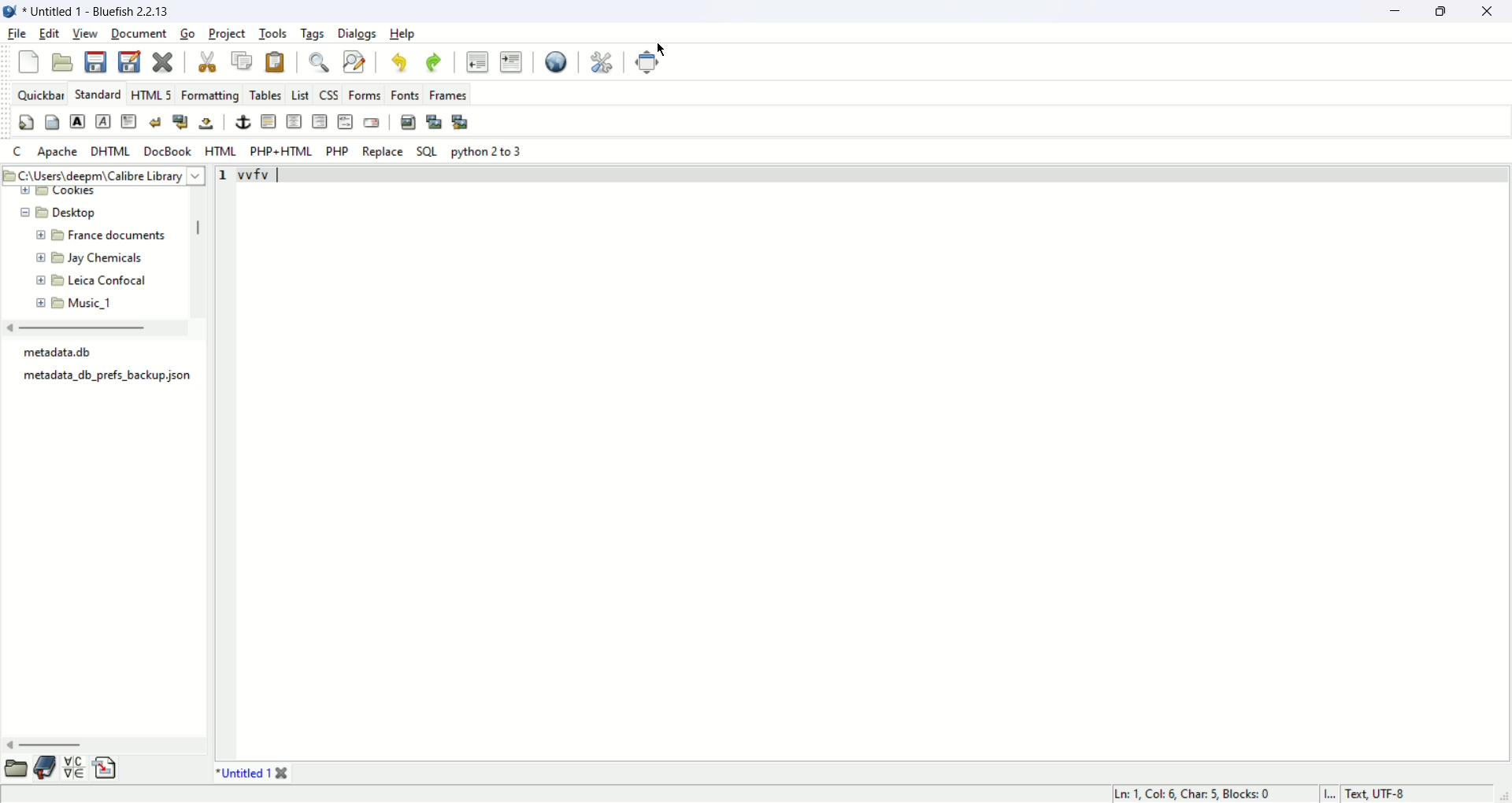 The height and width of the screenshot is (803, 1512). What do you see at coordinates (49, 746) in the screenshot?
I see `horizontal scroll bar` at bounding box center [49, 746].